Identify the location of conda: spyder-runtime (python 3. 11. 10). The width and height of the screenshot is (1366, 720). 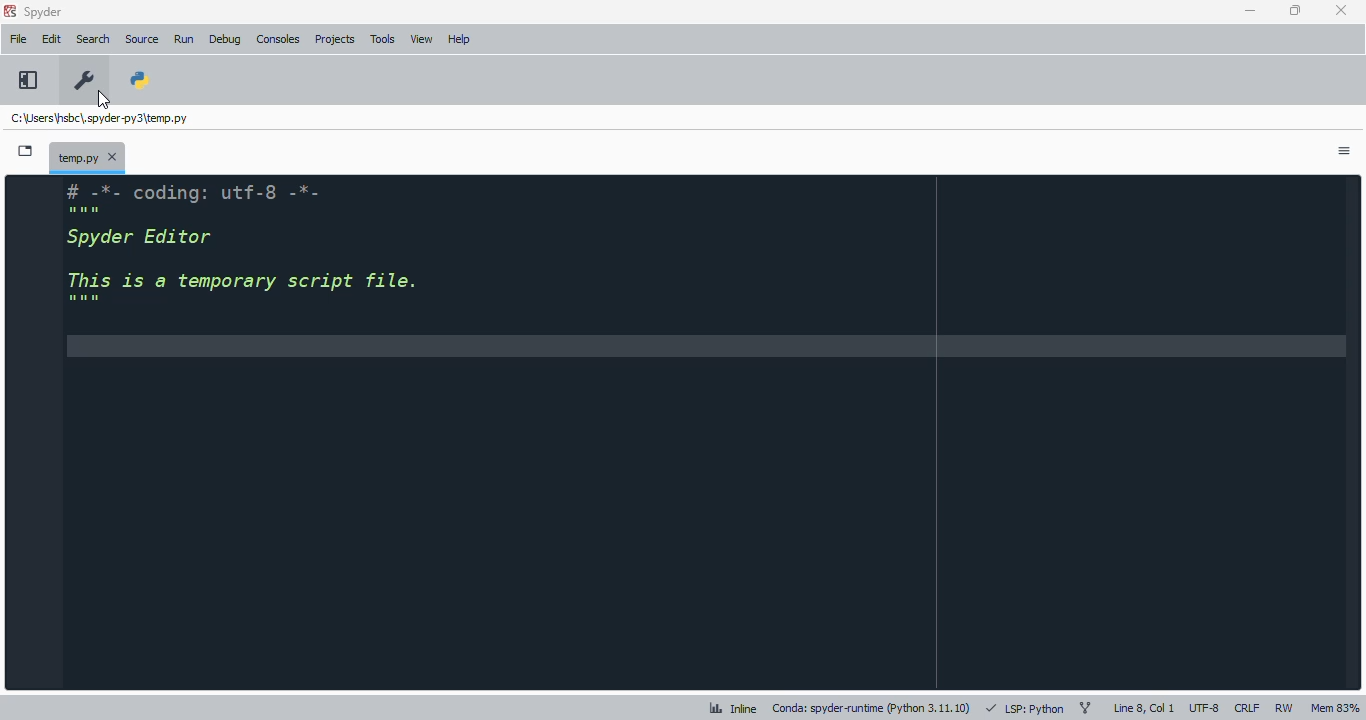
(873, 707).